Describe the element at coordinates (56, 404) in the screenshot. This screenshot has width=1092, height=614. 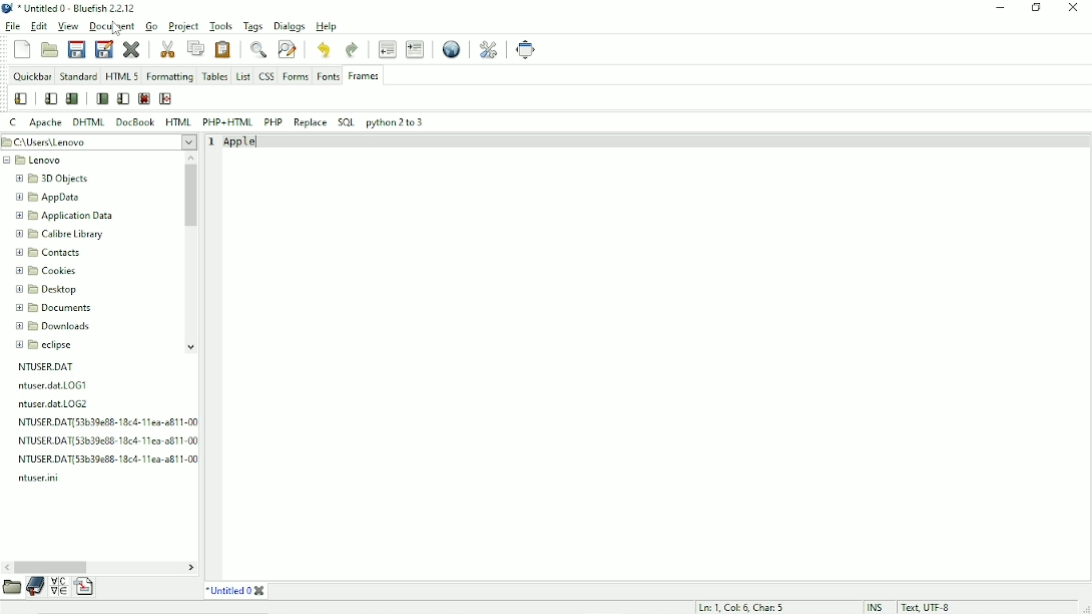
I see `file` at that location.